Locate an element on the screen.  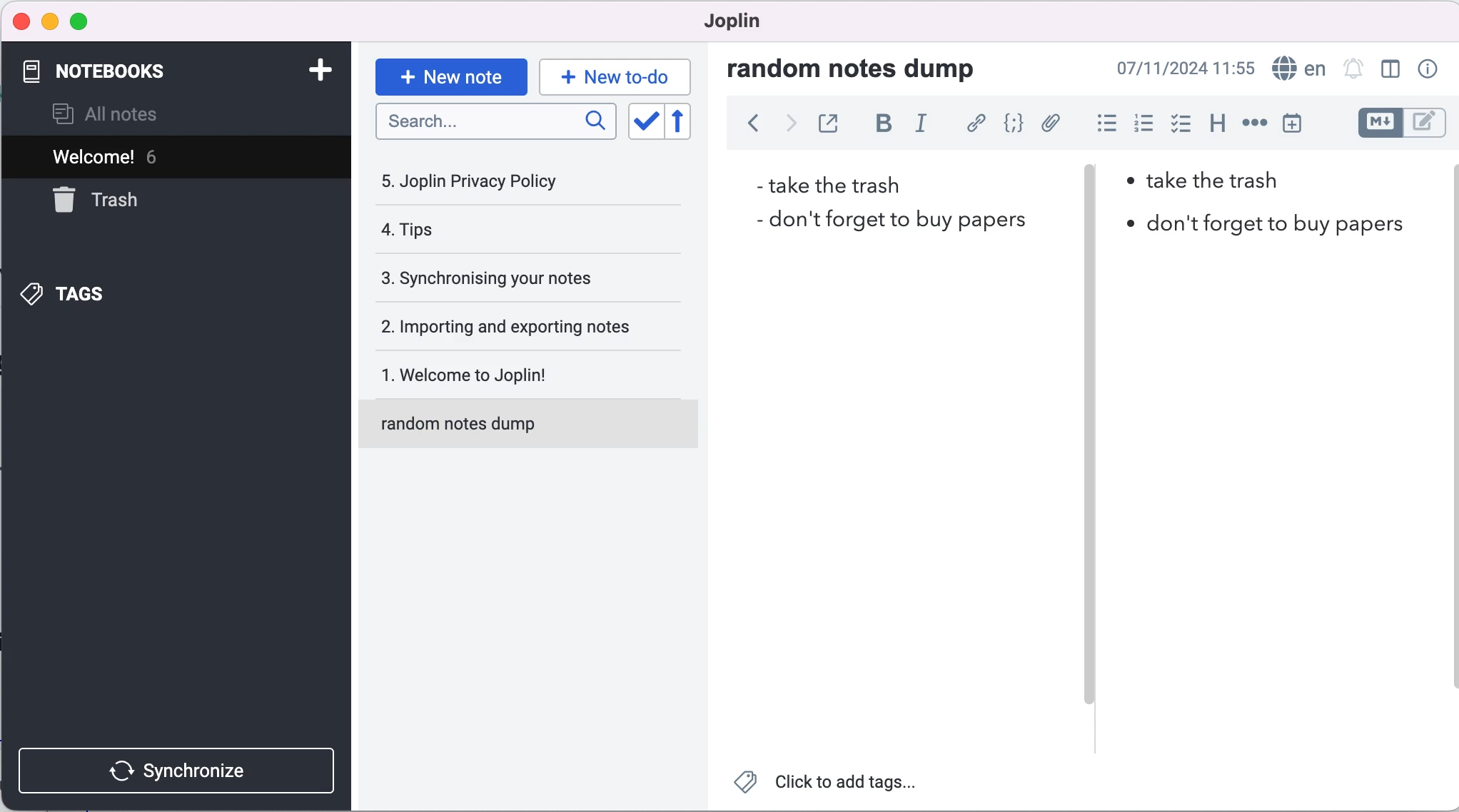
bulleted list is located at coordinates (1101, 123).